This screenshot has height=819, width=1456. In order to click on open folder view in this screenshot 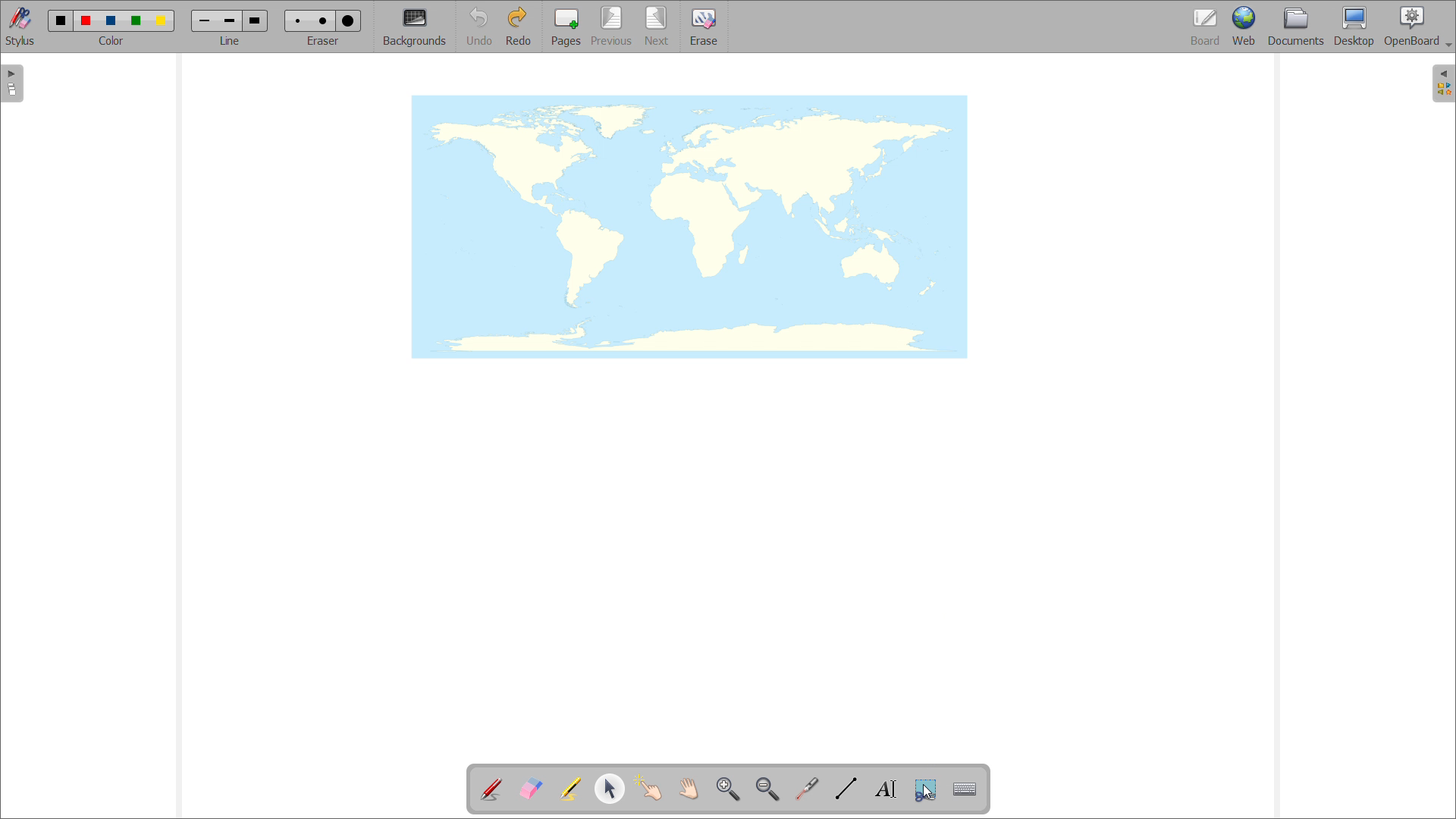, I will do `click(1444, 84)`.